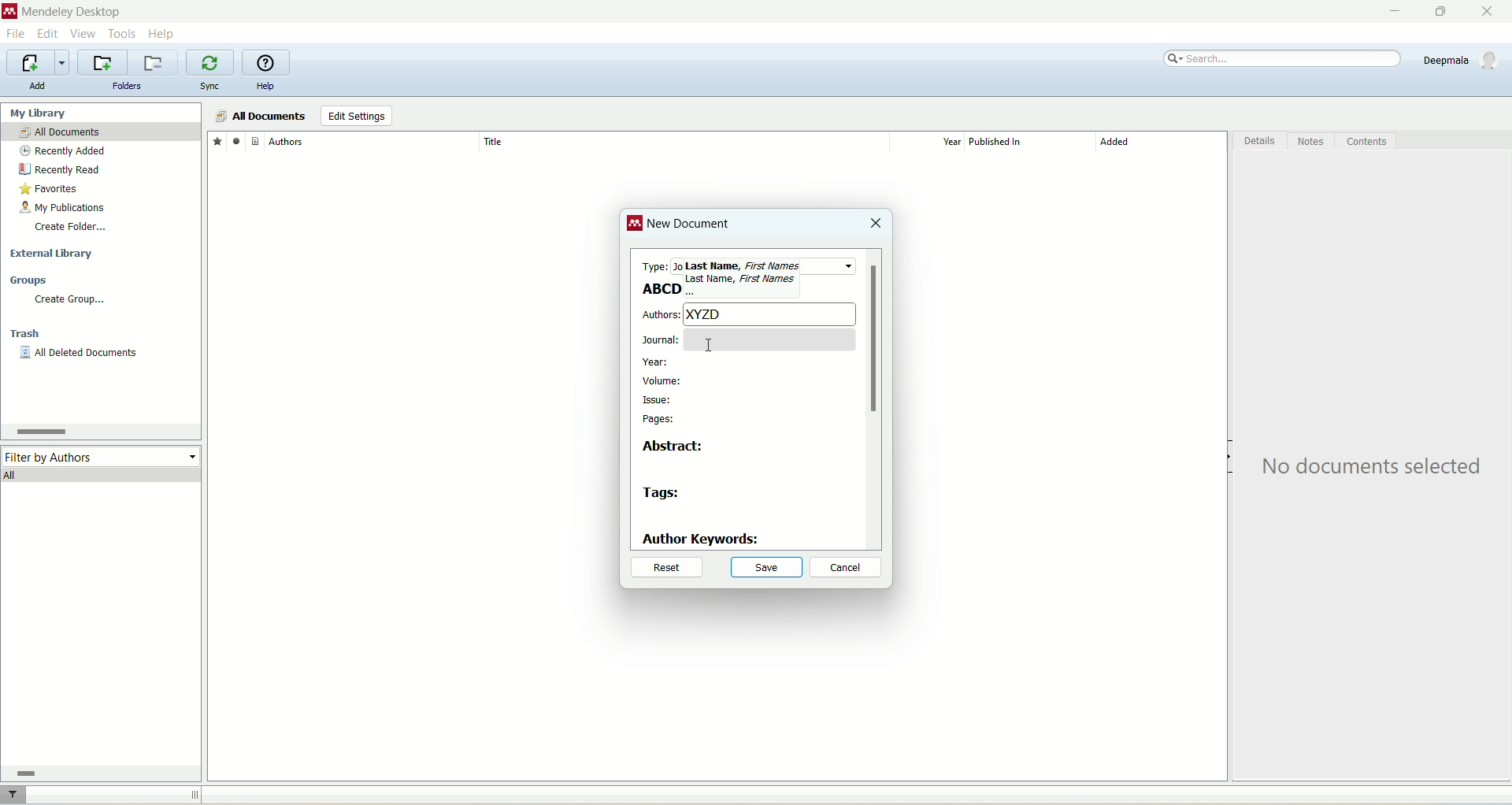 The image size is (1512, 805). I want to click on filter by author, so click(102, 455).